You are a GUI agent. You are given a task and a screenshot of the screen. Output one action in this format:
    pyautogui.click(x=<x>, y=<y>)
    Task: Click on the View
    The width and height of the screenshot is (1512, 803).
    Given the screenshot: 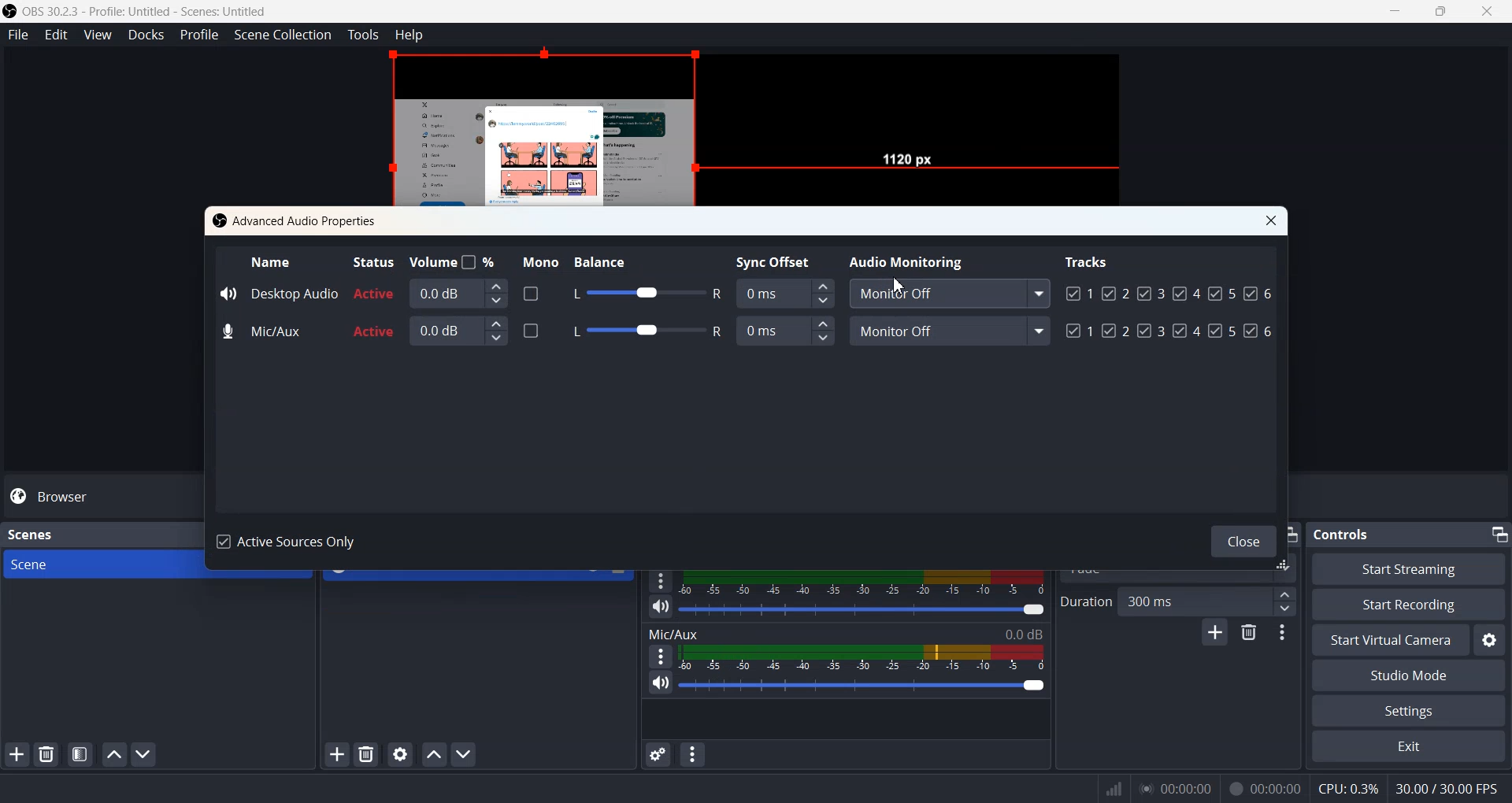 What is the action you would take?
    pyautogui.click(x=98, y=35)
    